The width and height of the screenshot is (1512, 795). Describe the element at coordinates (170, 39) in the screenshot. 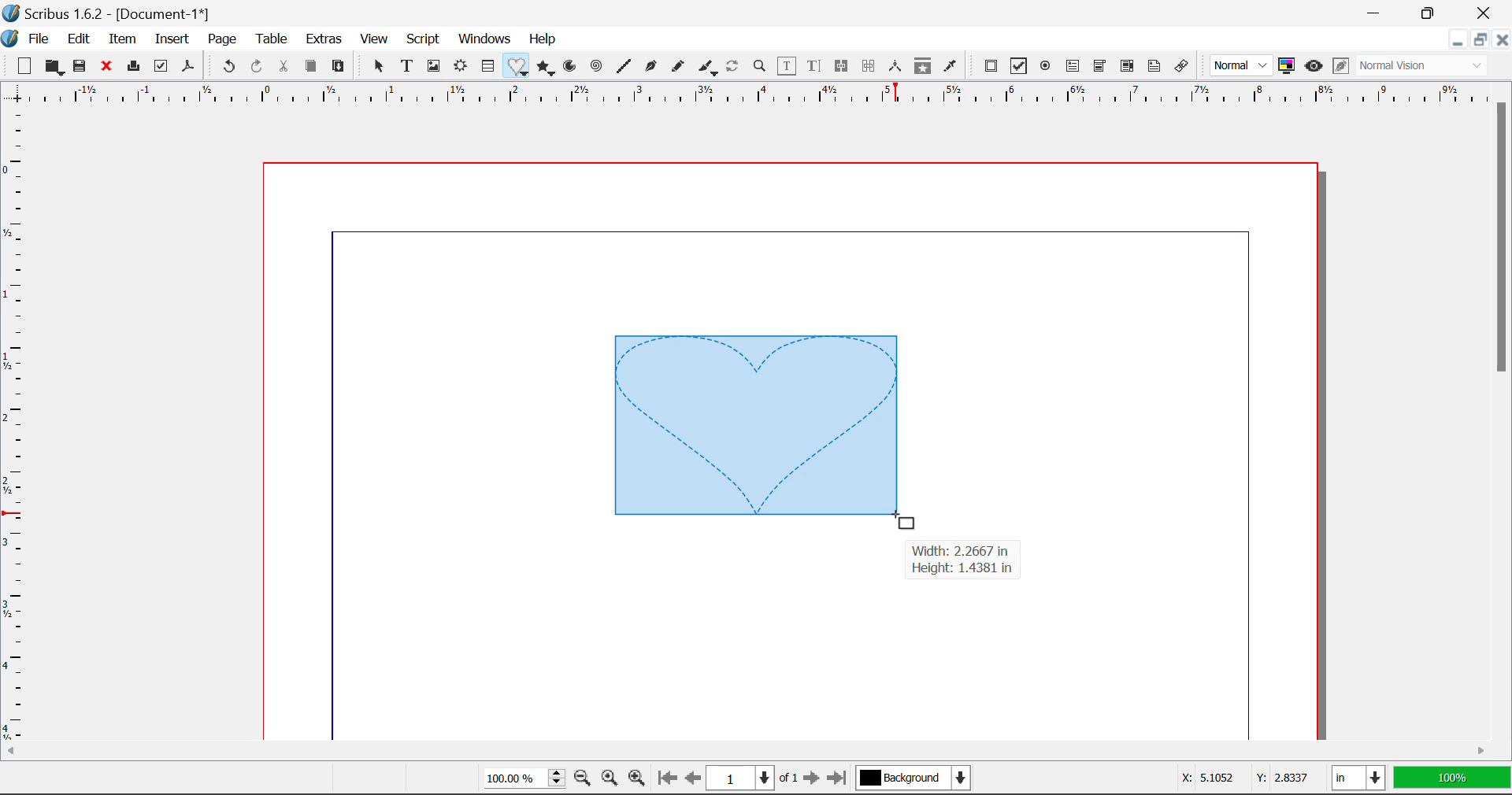

I see `Insert` at that location.